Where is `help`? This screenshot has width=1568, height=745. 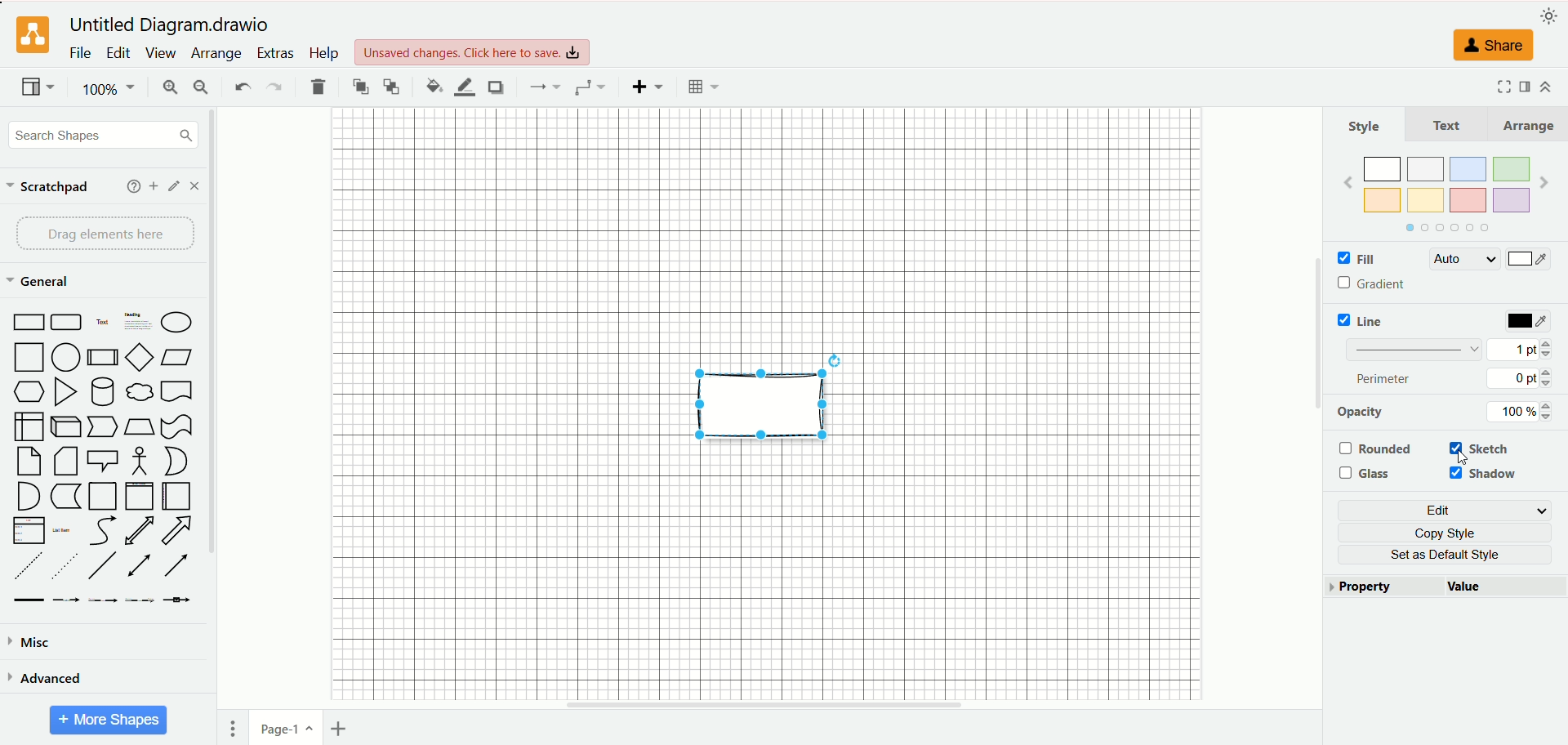 help is located at coordinates (323, 52).